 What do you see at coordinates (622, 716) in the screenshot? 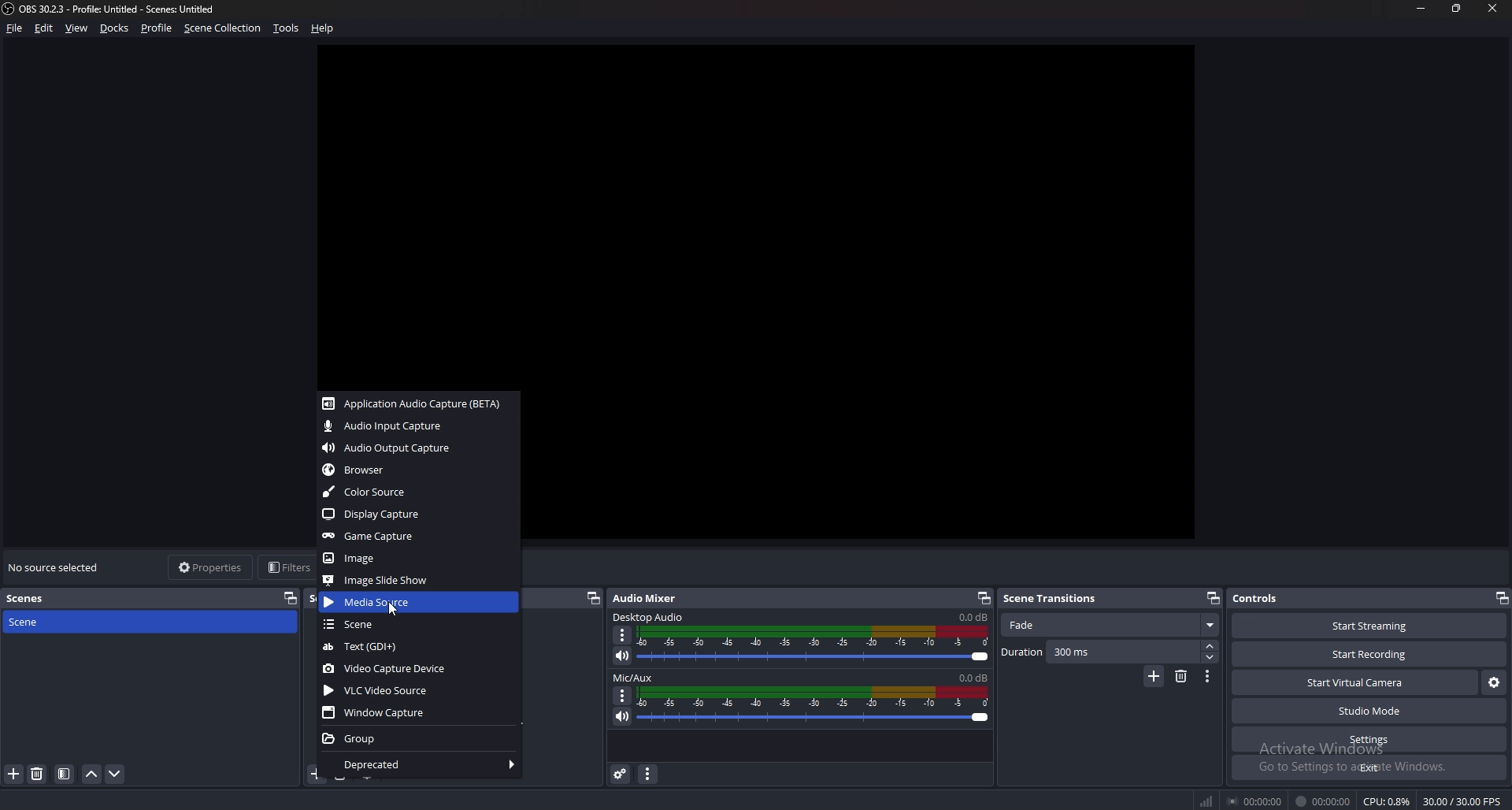
I see `mute` at bounding box center [622, 716].